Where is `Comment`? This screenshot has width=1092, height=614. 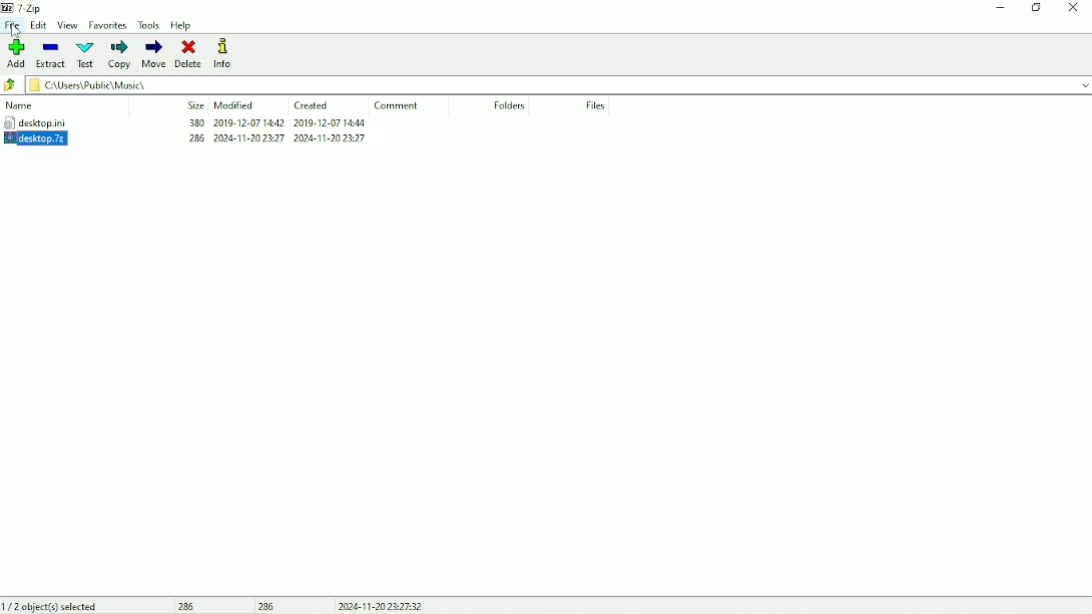 Comment is located at coordinates (398, 105).